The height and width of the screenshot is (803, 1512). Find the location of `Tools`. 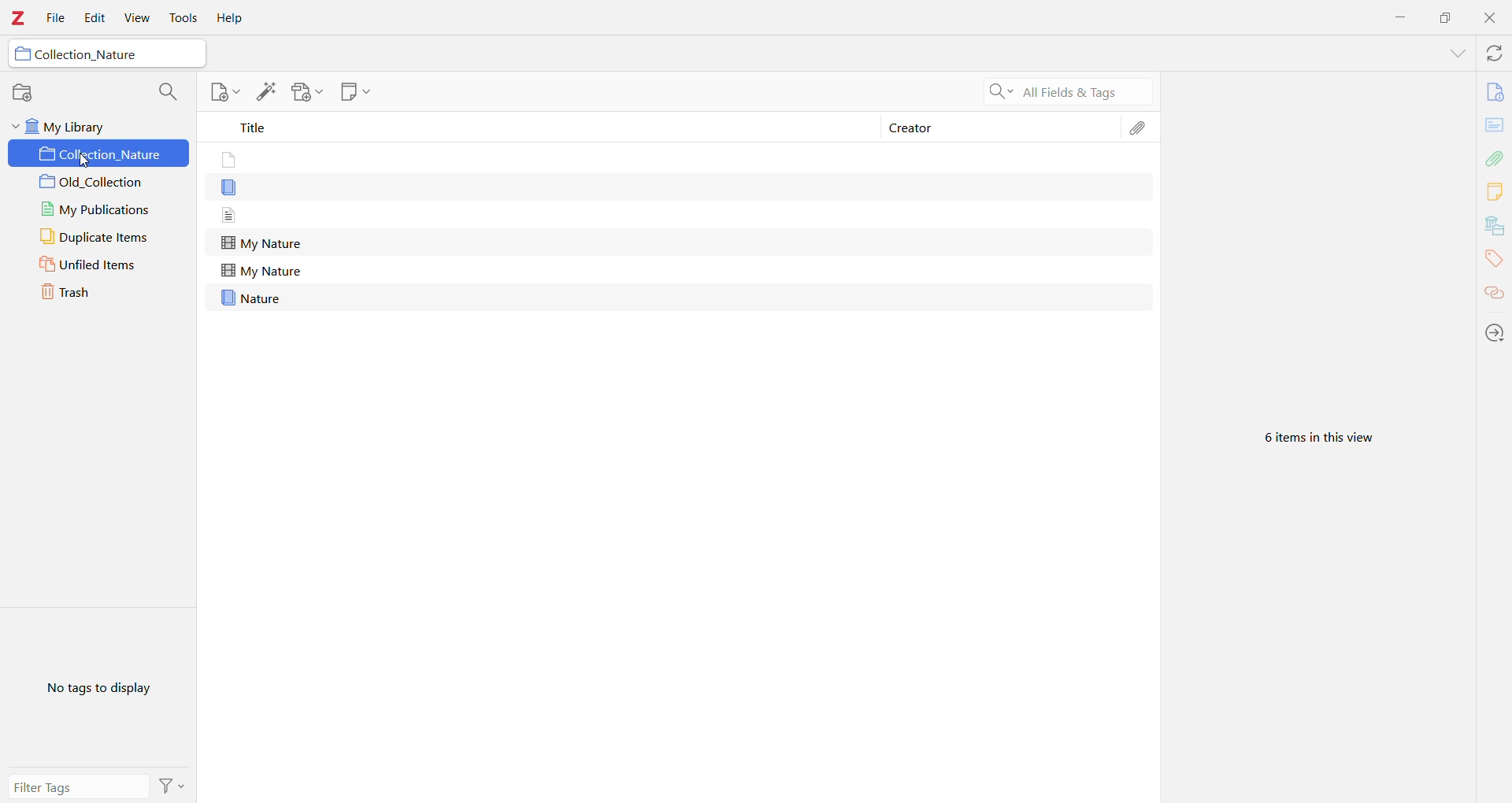

Tools is located at coordinates (185, 18).